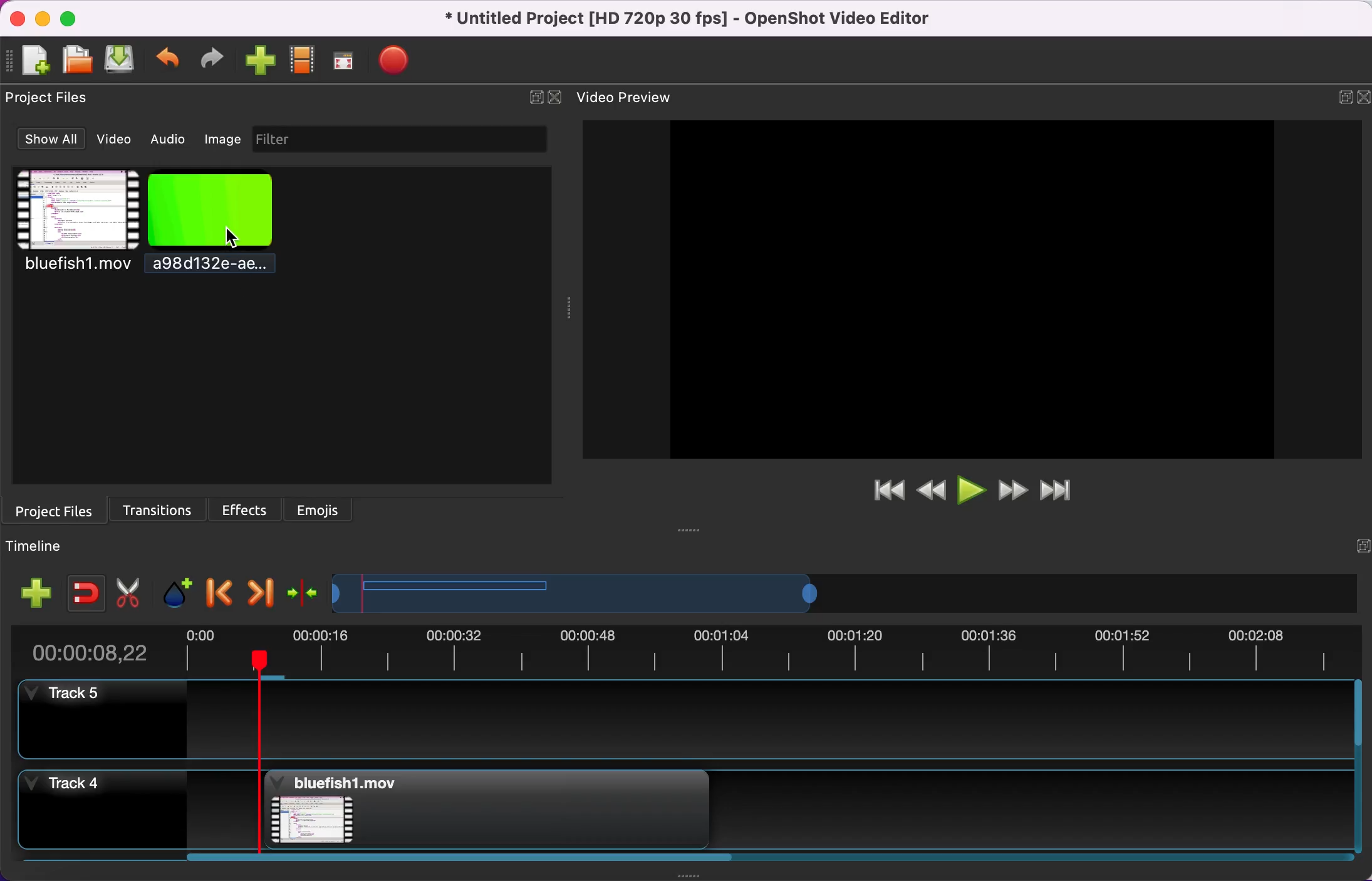  What do you see at coordinates (75, 58) in the screenshot?
I see `open file` at bounding box center [75, 58].